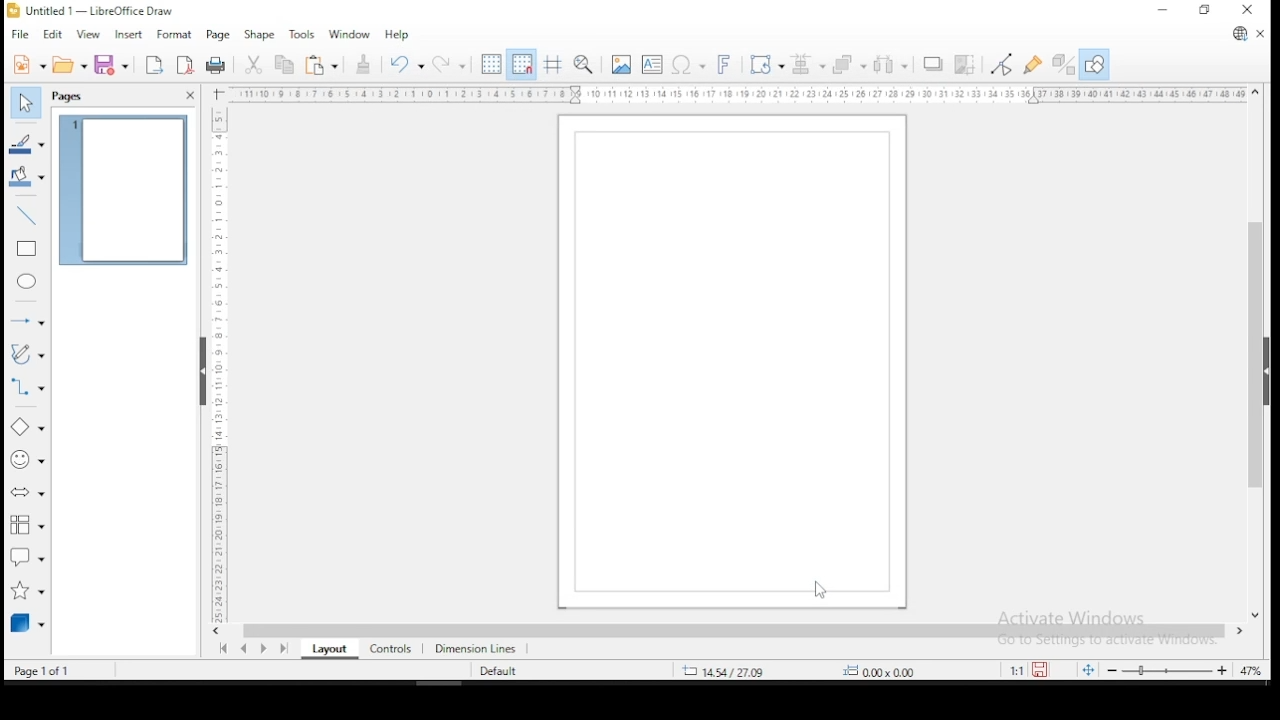  What do you see at coordinates (27, 559) in the screenshot?
I see `callout shapes` at bounding box center [27, 559].